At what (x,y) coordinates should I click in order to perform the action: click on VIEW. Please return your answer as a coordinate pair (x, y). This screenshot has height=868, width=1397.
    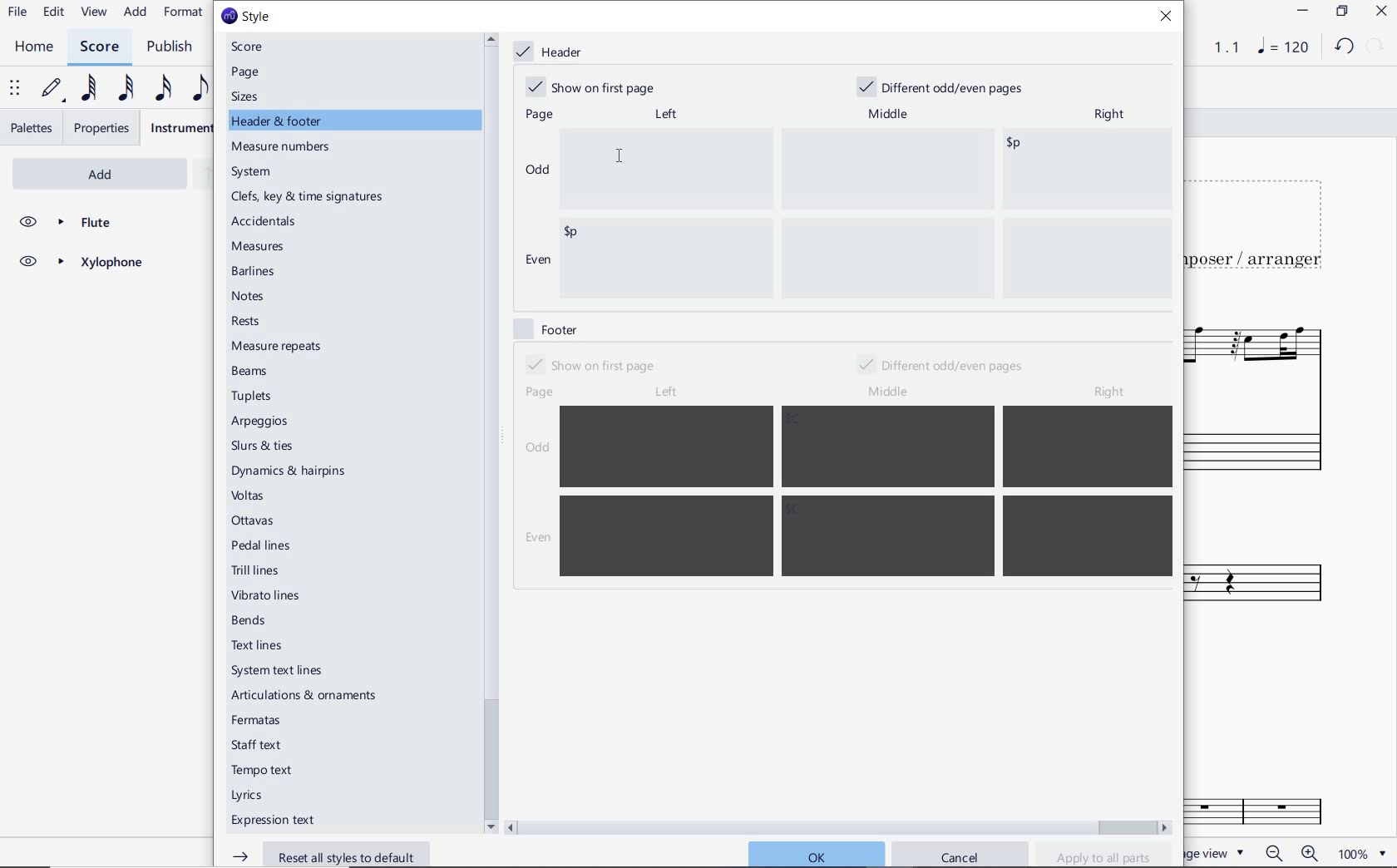
    Looking at the image, I should click on (95, 12).